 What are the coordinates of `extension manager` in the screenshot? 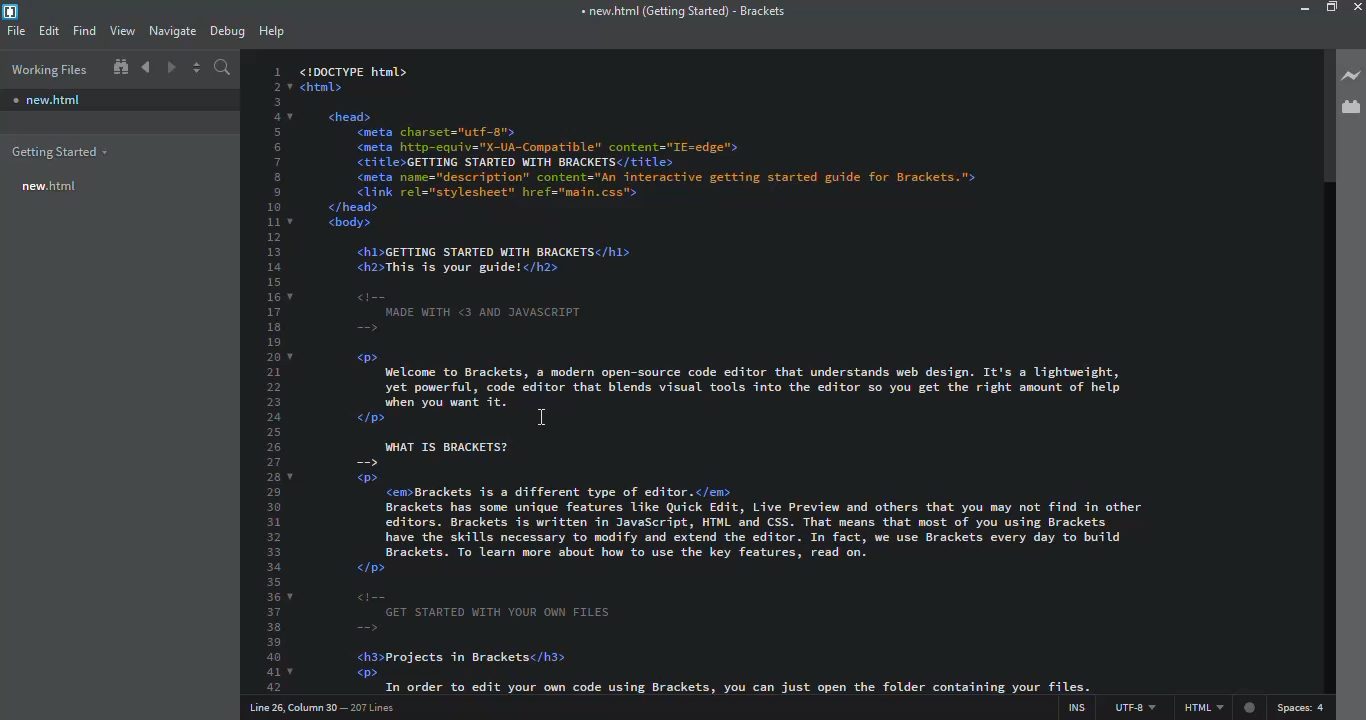 It's located at (1351, 108).